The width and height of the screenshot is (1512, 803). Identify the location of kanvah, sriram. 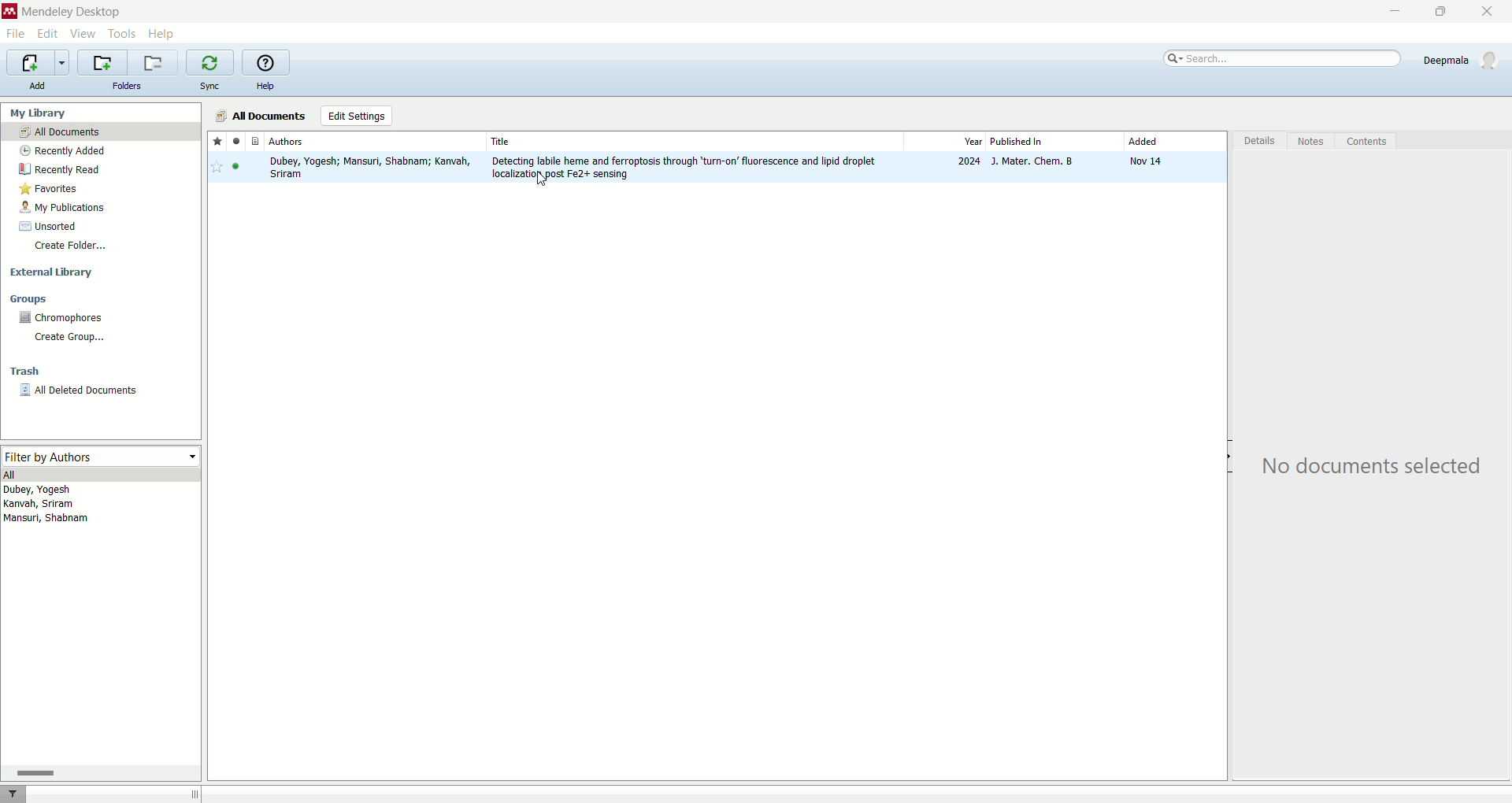
(39, 505).